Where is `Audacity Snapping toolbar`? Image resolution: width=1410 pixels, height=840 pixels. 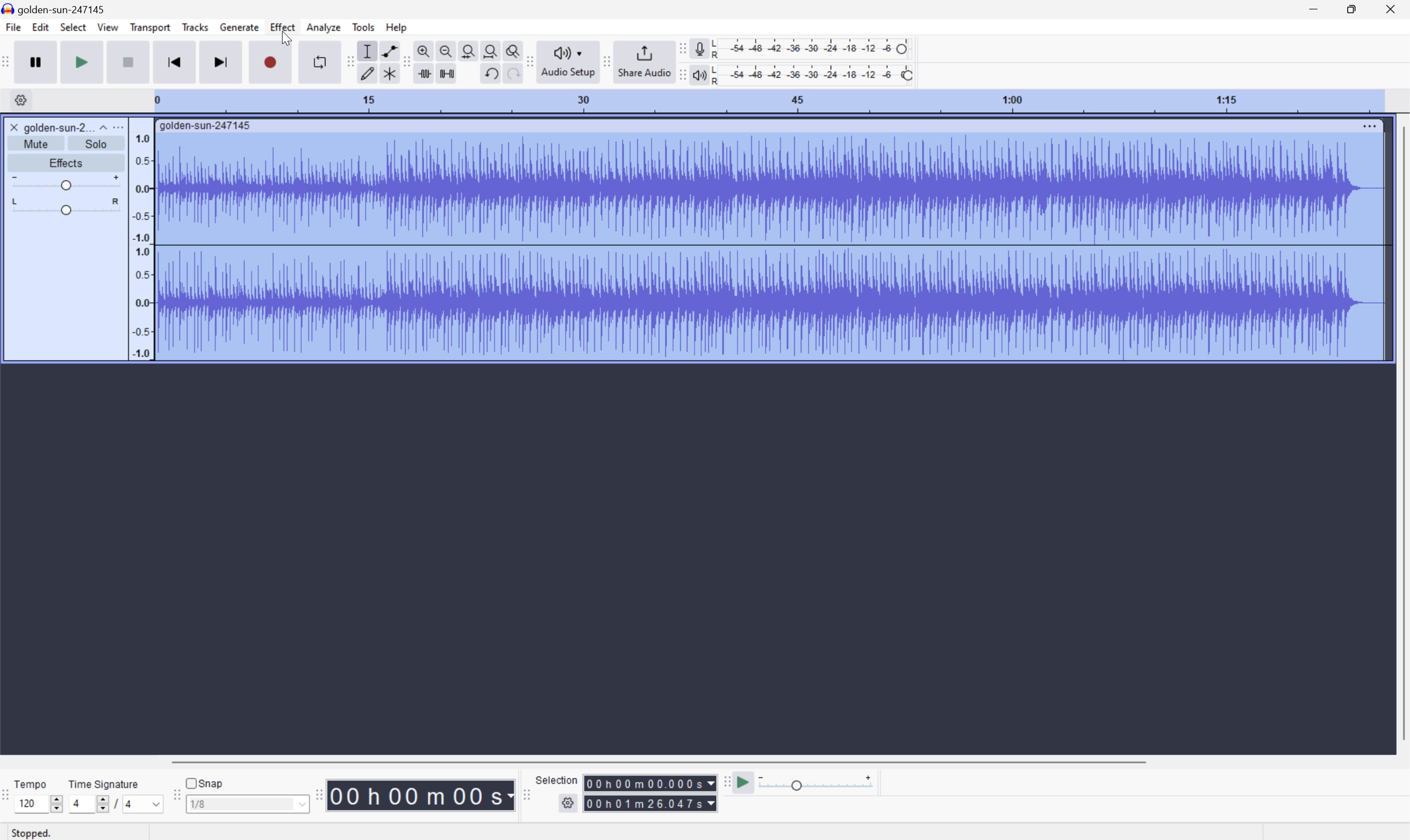
Audacity Snapping toolbar is located at coordinates (176, 796).